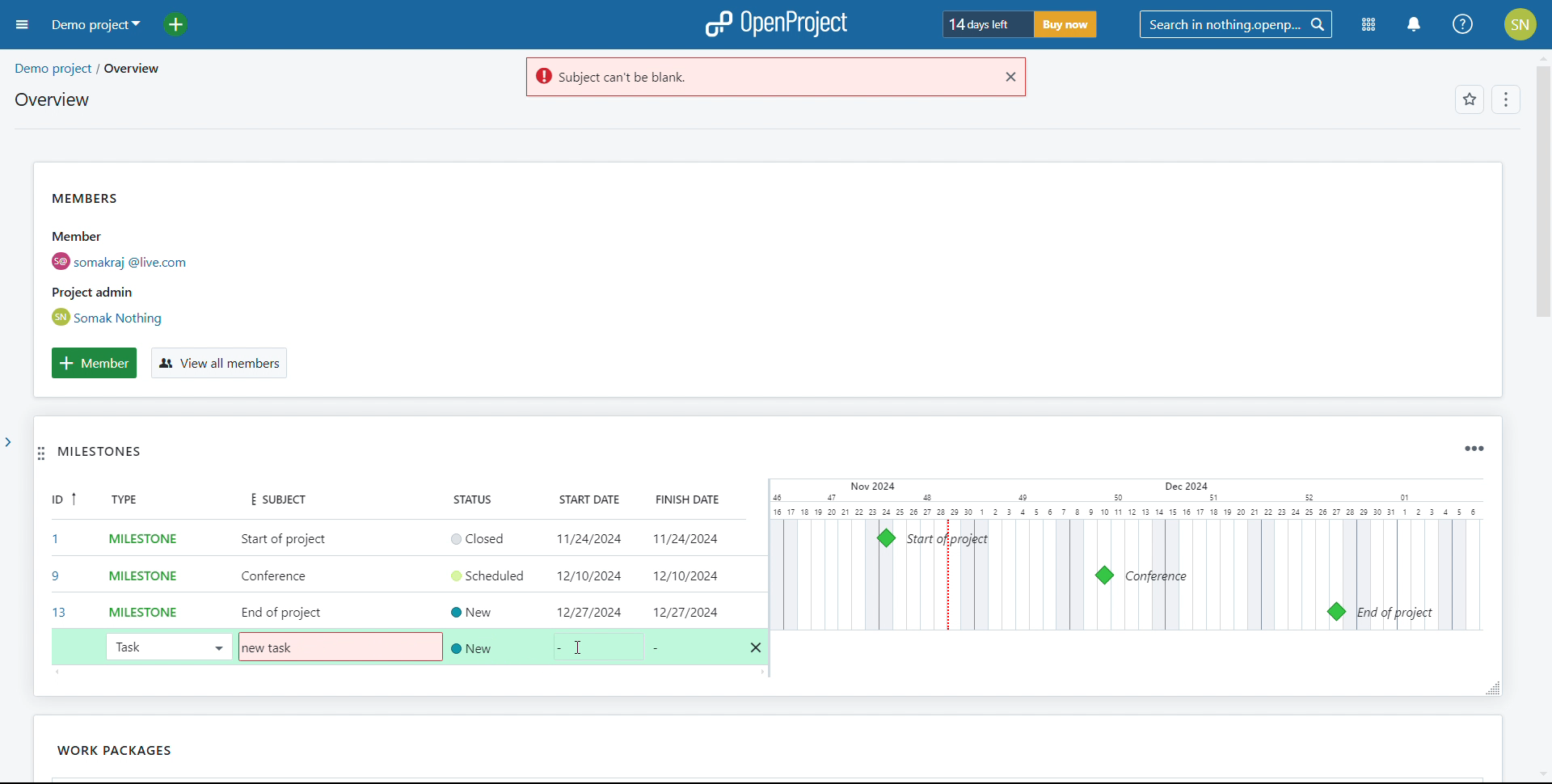 Image resolution: width=1552 pixels, height=784 pixels. Describe the element at coordinates (492, 589) in the screenshot. I see `set status` at that location.